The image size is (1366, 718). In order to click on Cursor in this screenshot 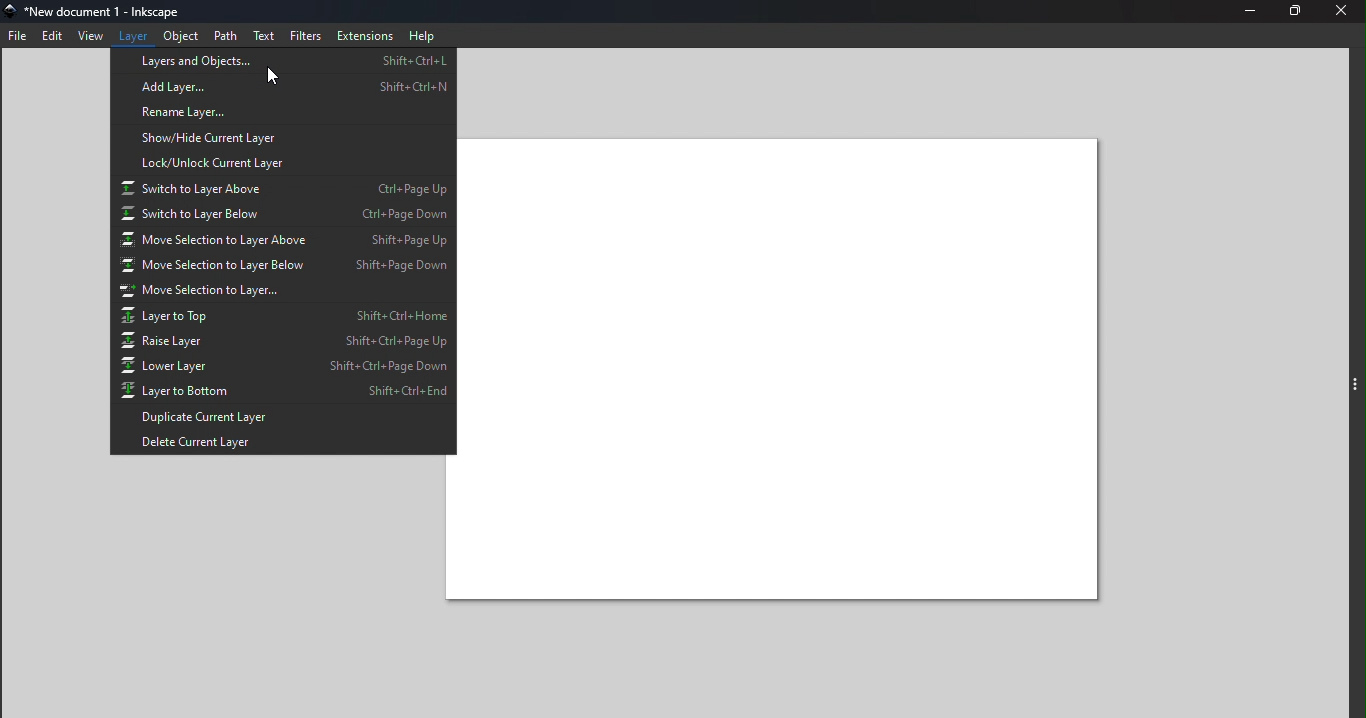, I will do `click(270, 75)`.